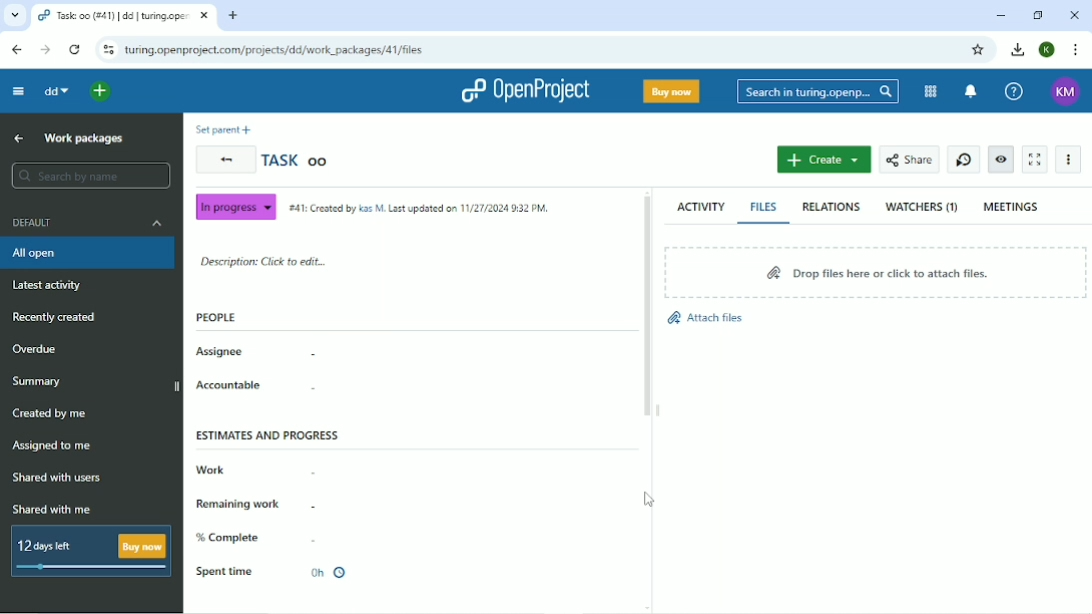 The width and height of the screenshot is (1092, 614). I want to click on Work, so click(211, 467).